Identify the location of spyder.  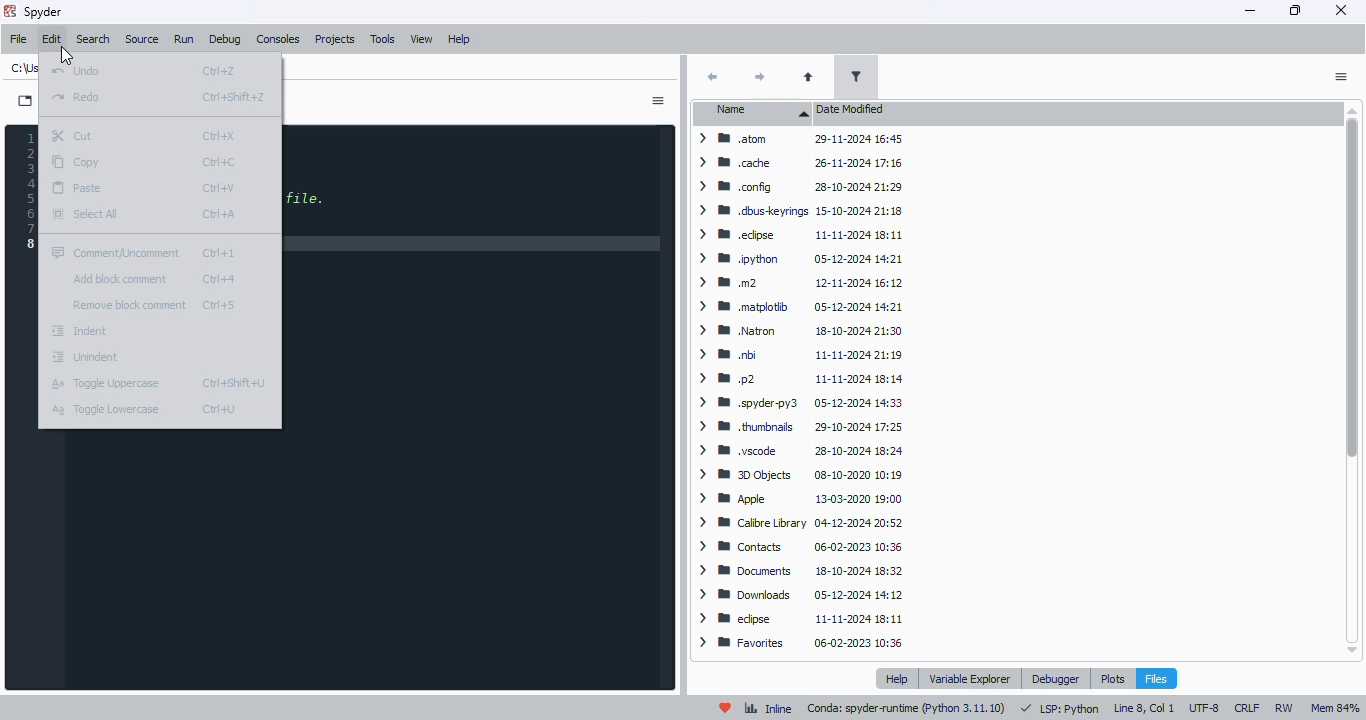
(44, 12).